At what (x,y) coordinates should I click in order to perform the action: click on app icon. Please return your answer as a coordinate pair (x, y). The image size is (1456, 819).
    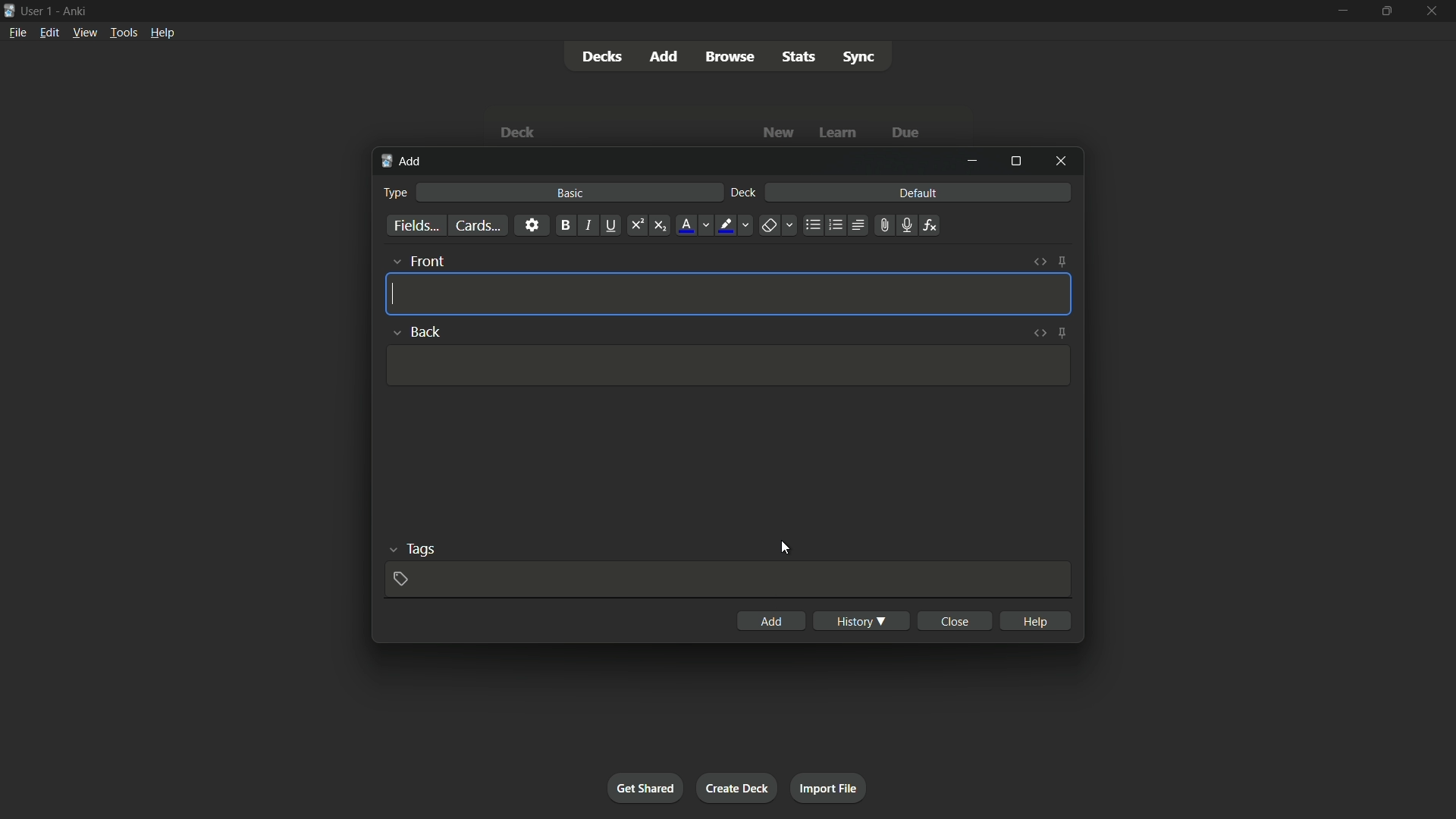
    Looking at the image, I should click on (9, 9).